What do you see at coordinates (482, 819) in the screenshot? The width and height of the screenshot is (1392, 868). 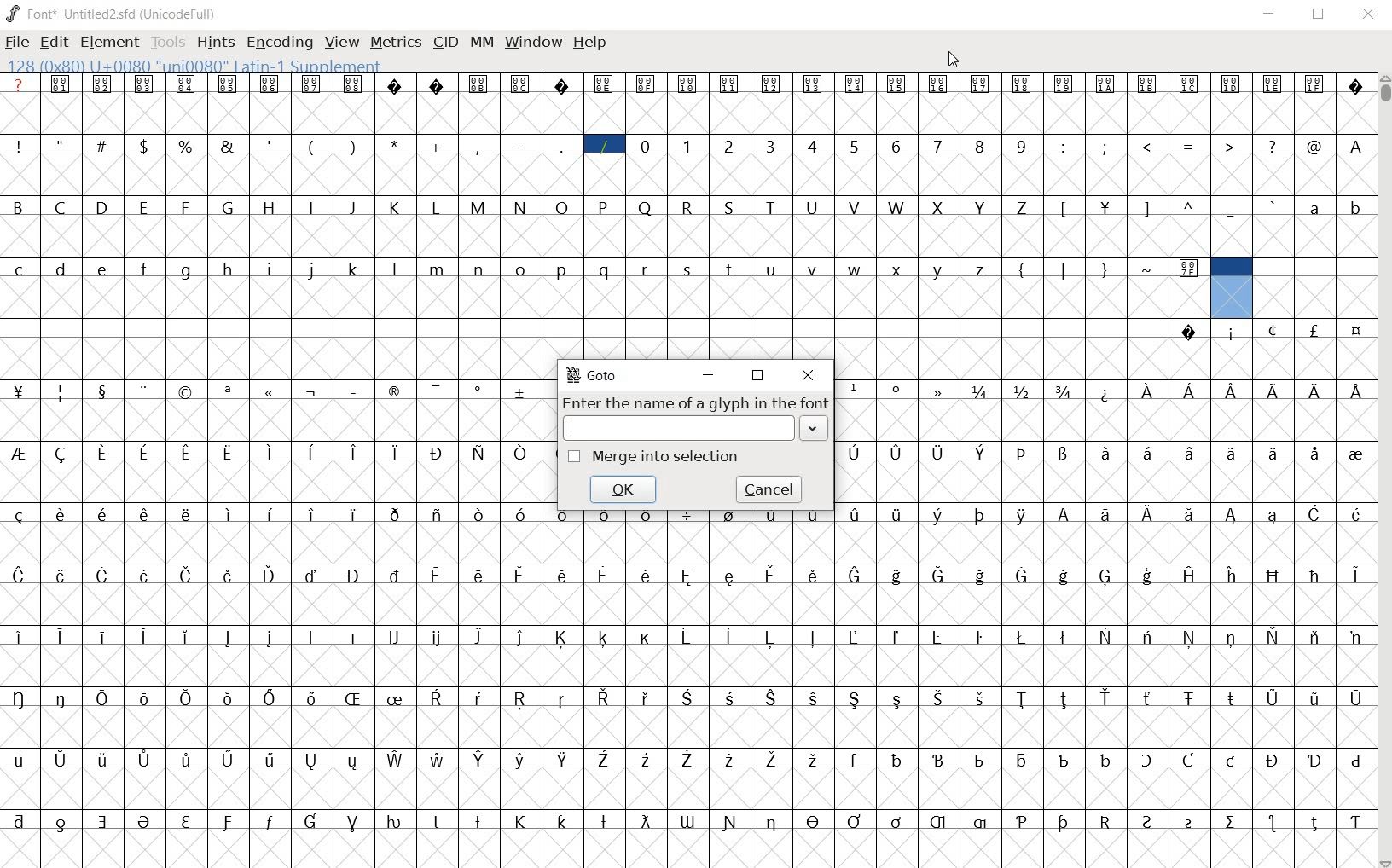 I see `Symbol` at bounding box center [482, 819].